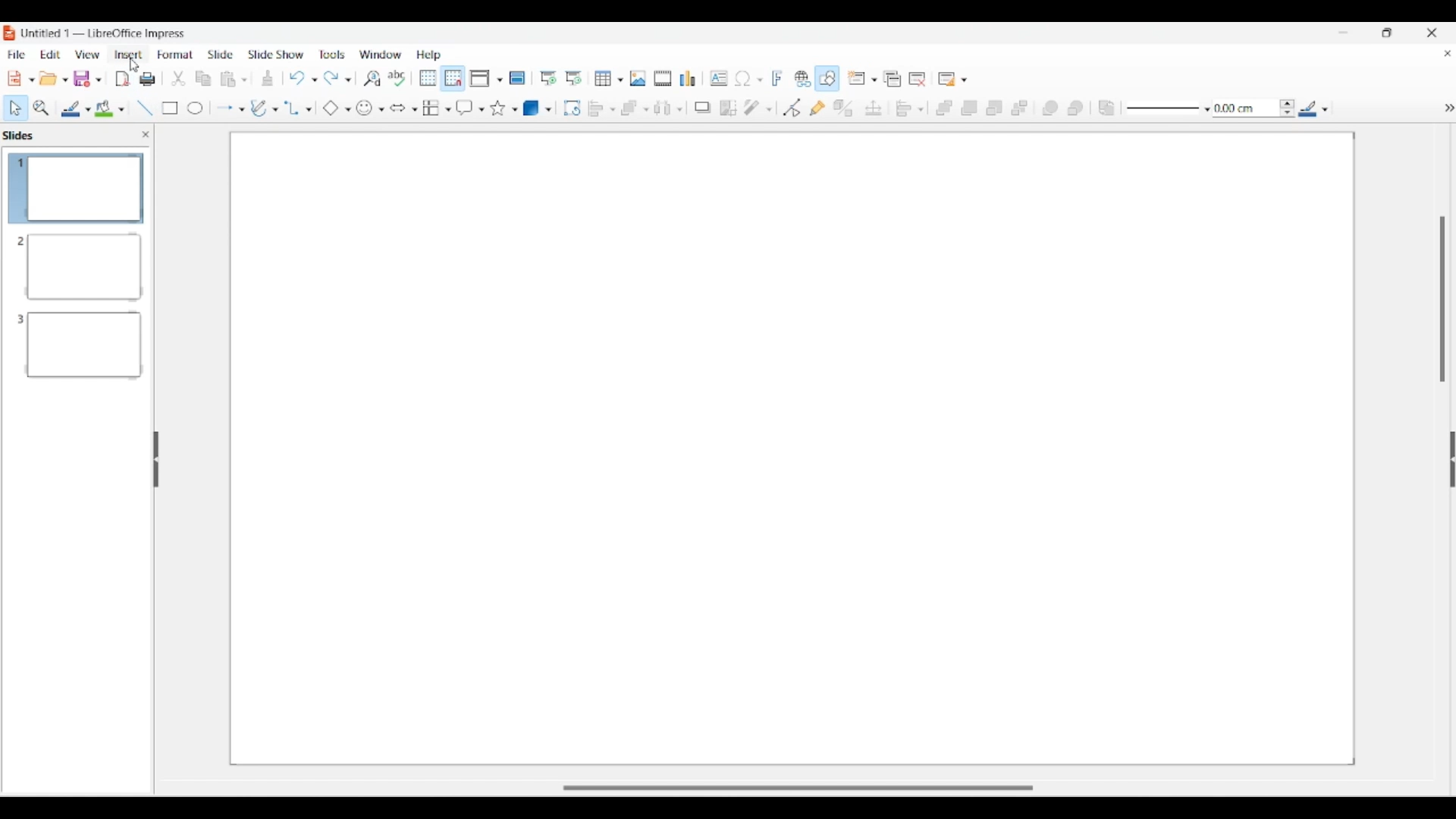  What do you see at coordinates (792, 108) in the screenshot?
I see `Toggle point edit mode` at bounding box center [792, 108].